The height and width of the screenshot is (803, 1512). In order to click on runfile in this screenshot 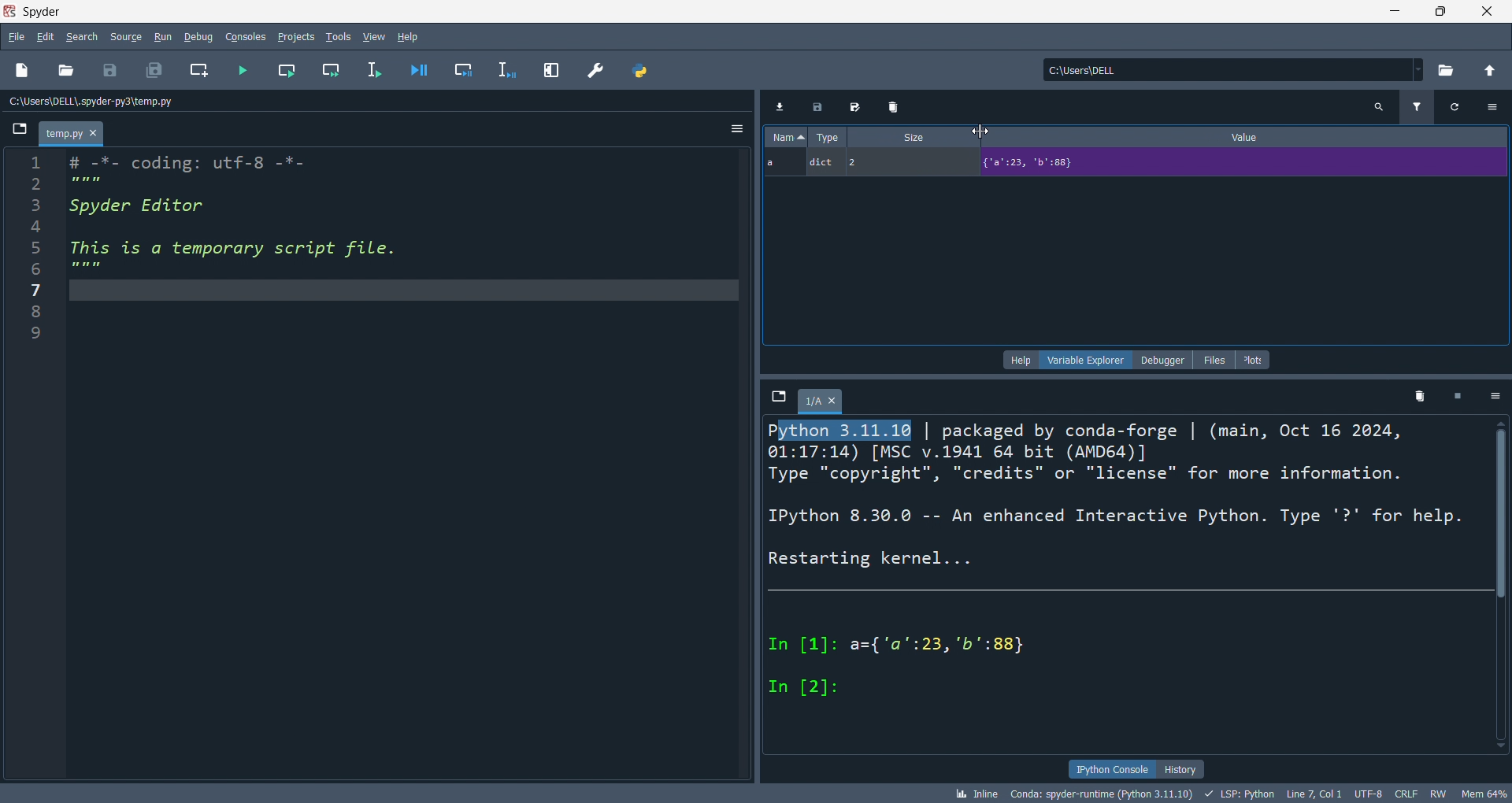, I will do `click(236, 70)`.